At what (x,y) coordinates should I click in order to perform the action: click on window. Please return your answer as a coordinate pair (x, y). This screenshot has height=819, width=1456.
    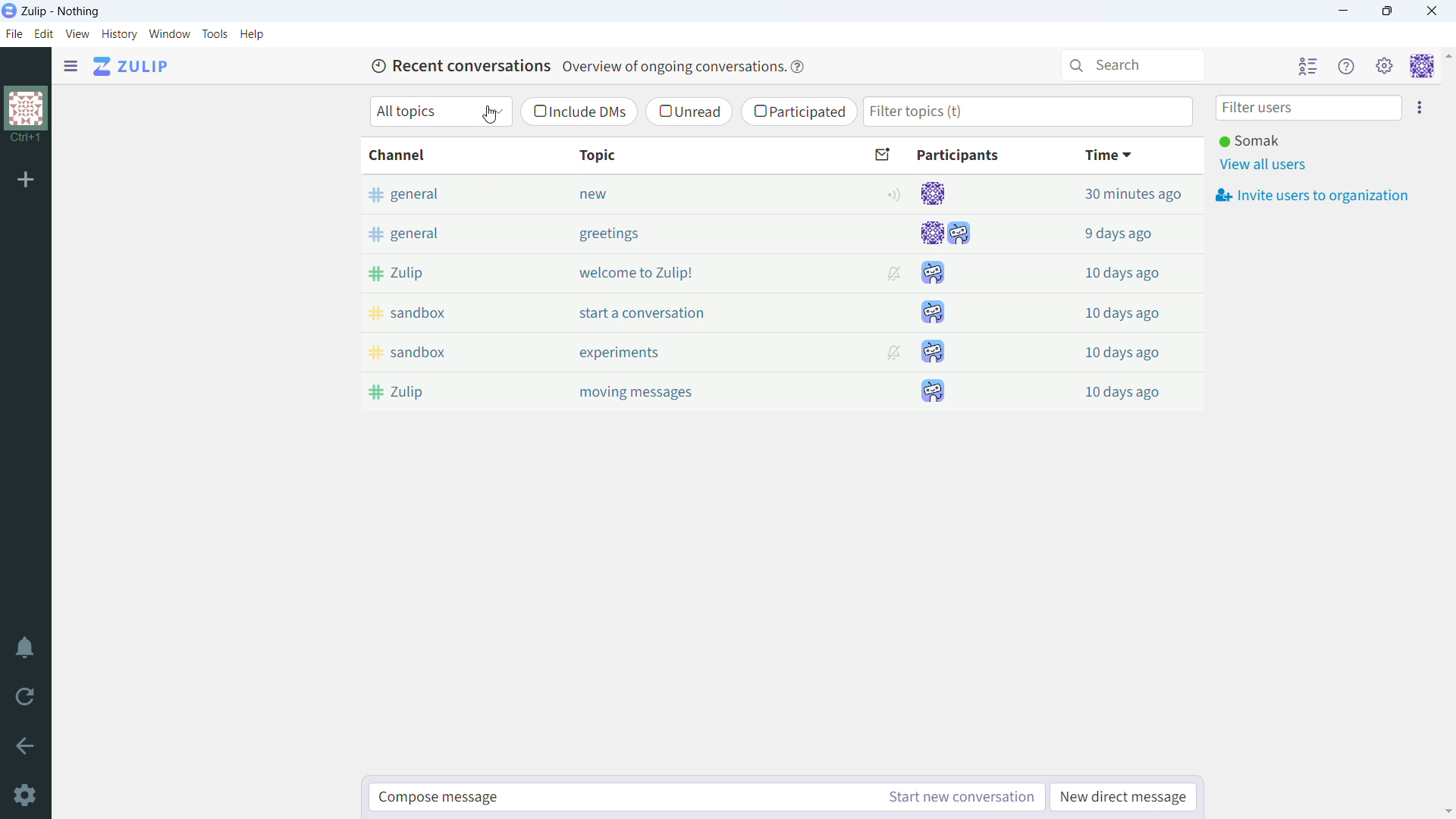
    Looking at the image, I should click on (170, 34).